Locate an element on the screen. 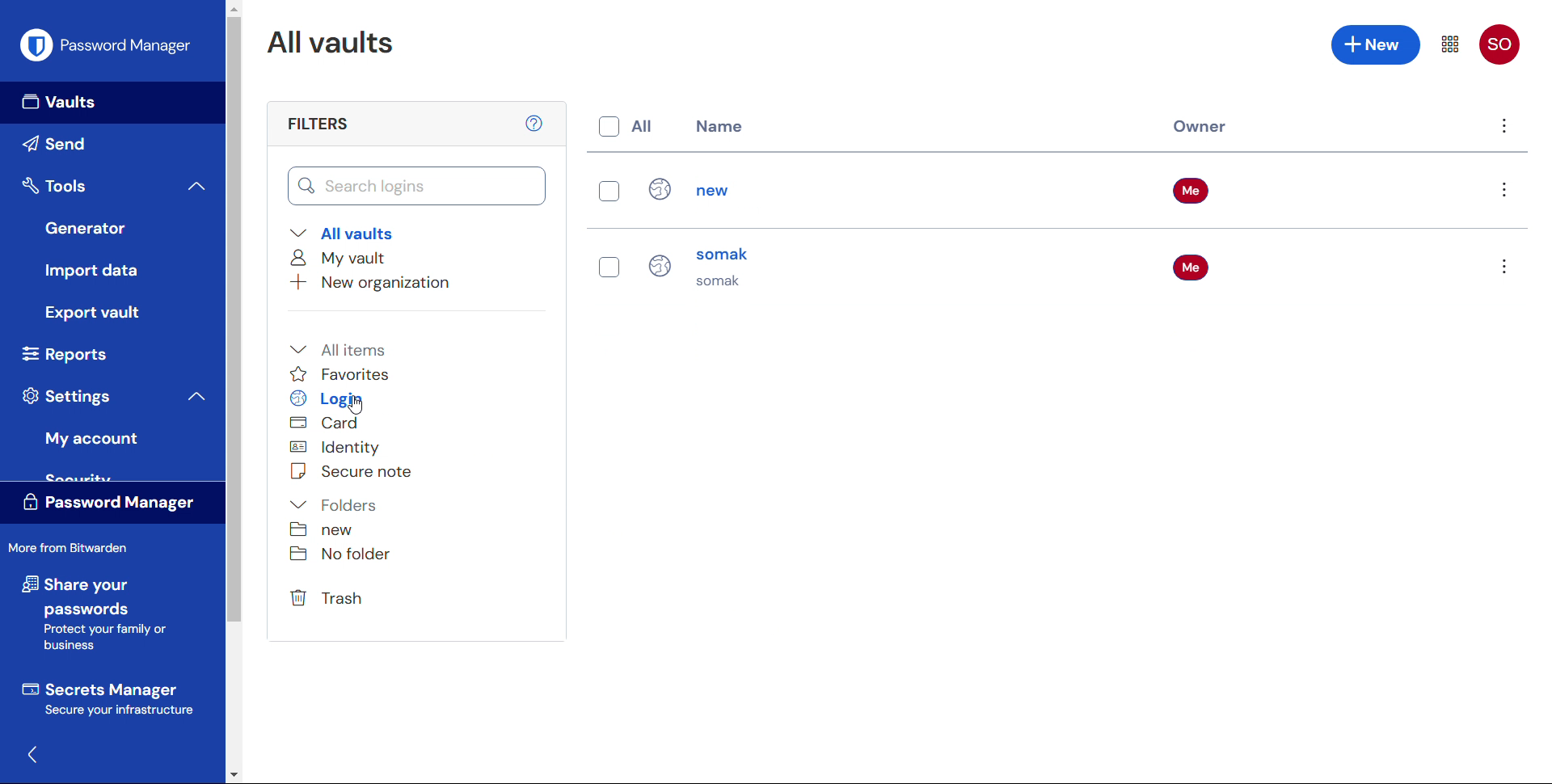 The height and width of the screenshot is (784, 1552). All vaults is located at coordinates (333, 44).